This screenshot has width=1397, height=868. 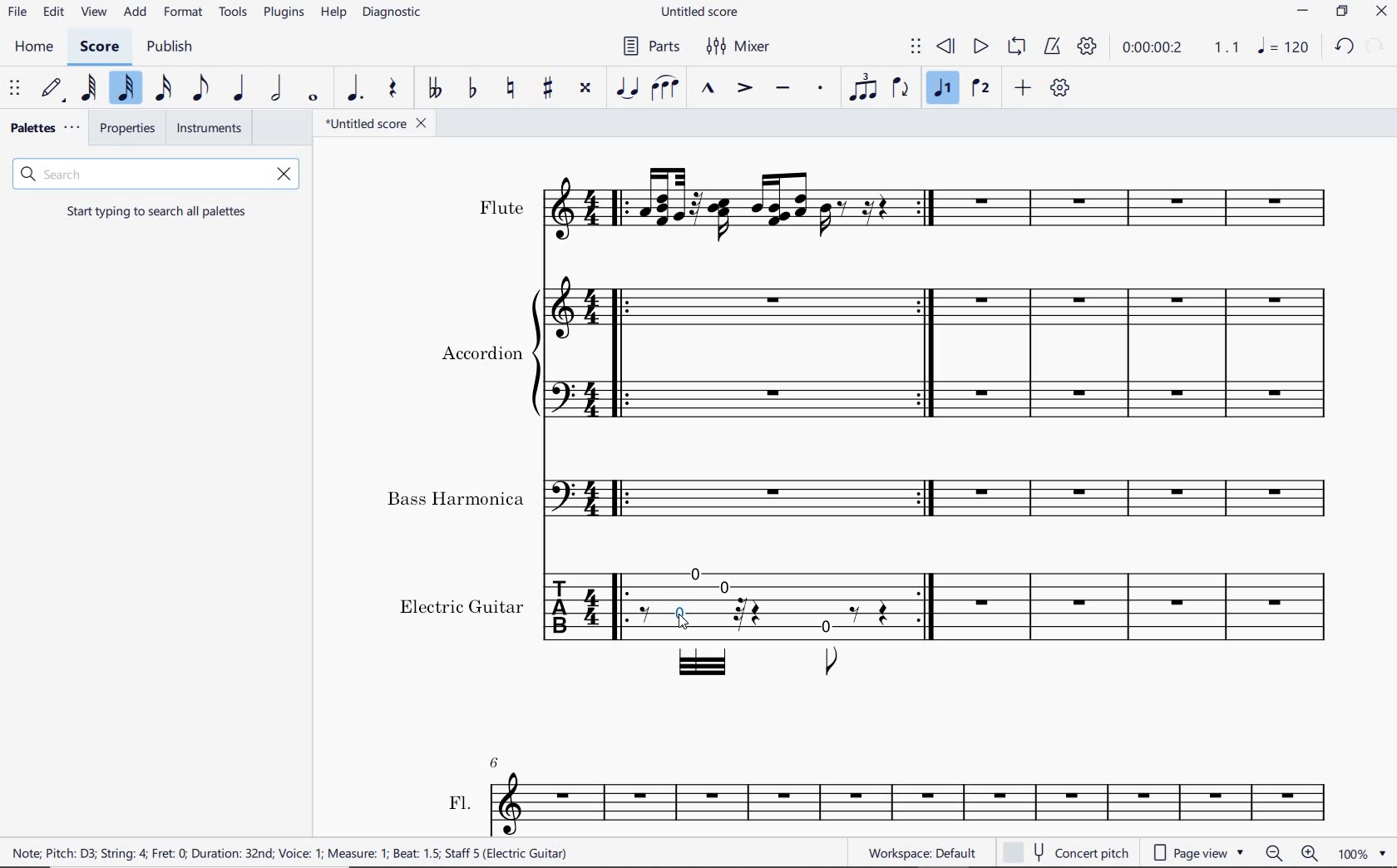 What do you see at coordinates (979, 47) in the screenshot?
I see `play` at bounding box center [979, 47].